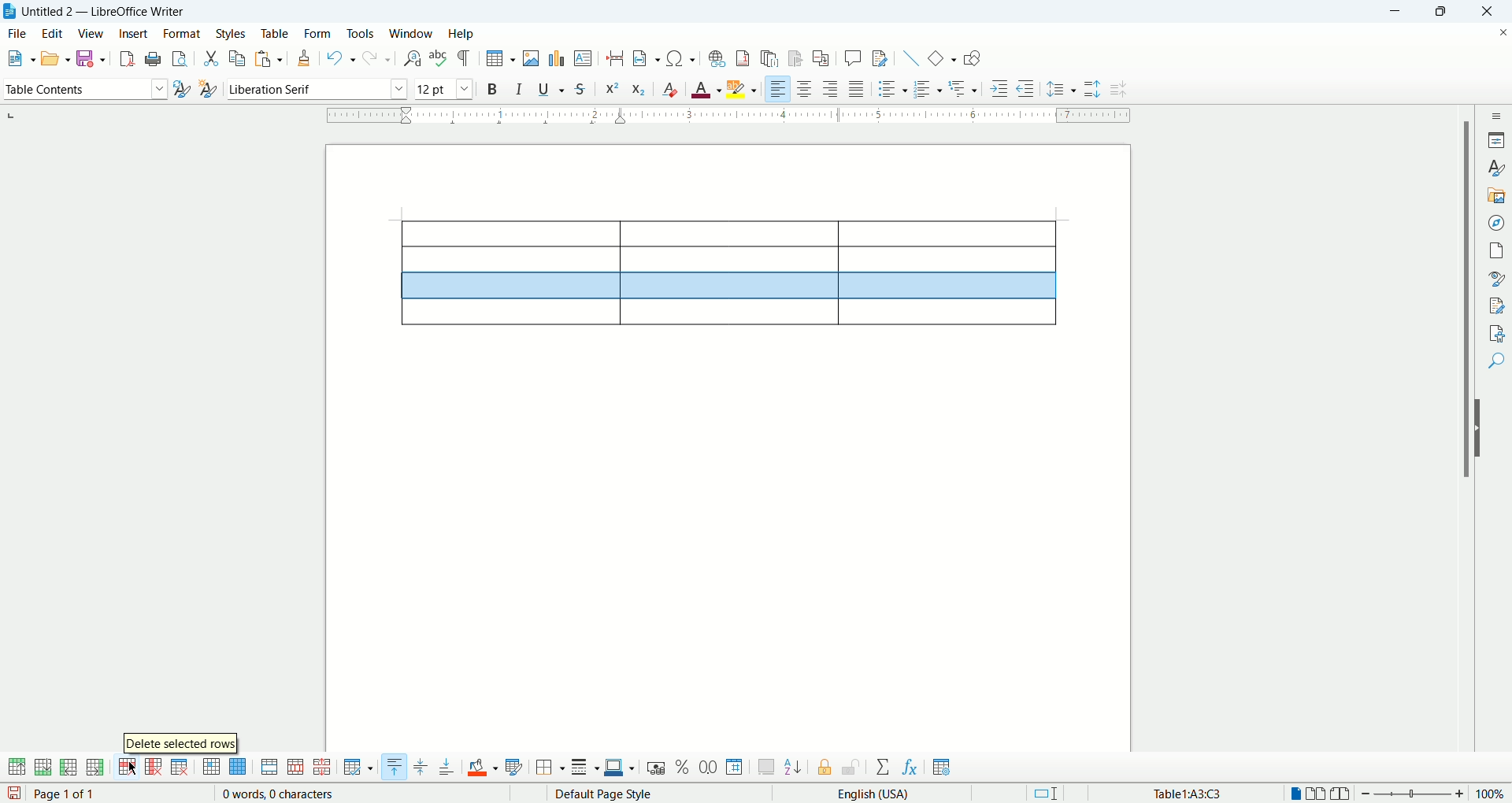 This screenshot has width=1512, height=803. I want to click on insert hyperlink, so click(717, 57).